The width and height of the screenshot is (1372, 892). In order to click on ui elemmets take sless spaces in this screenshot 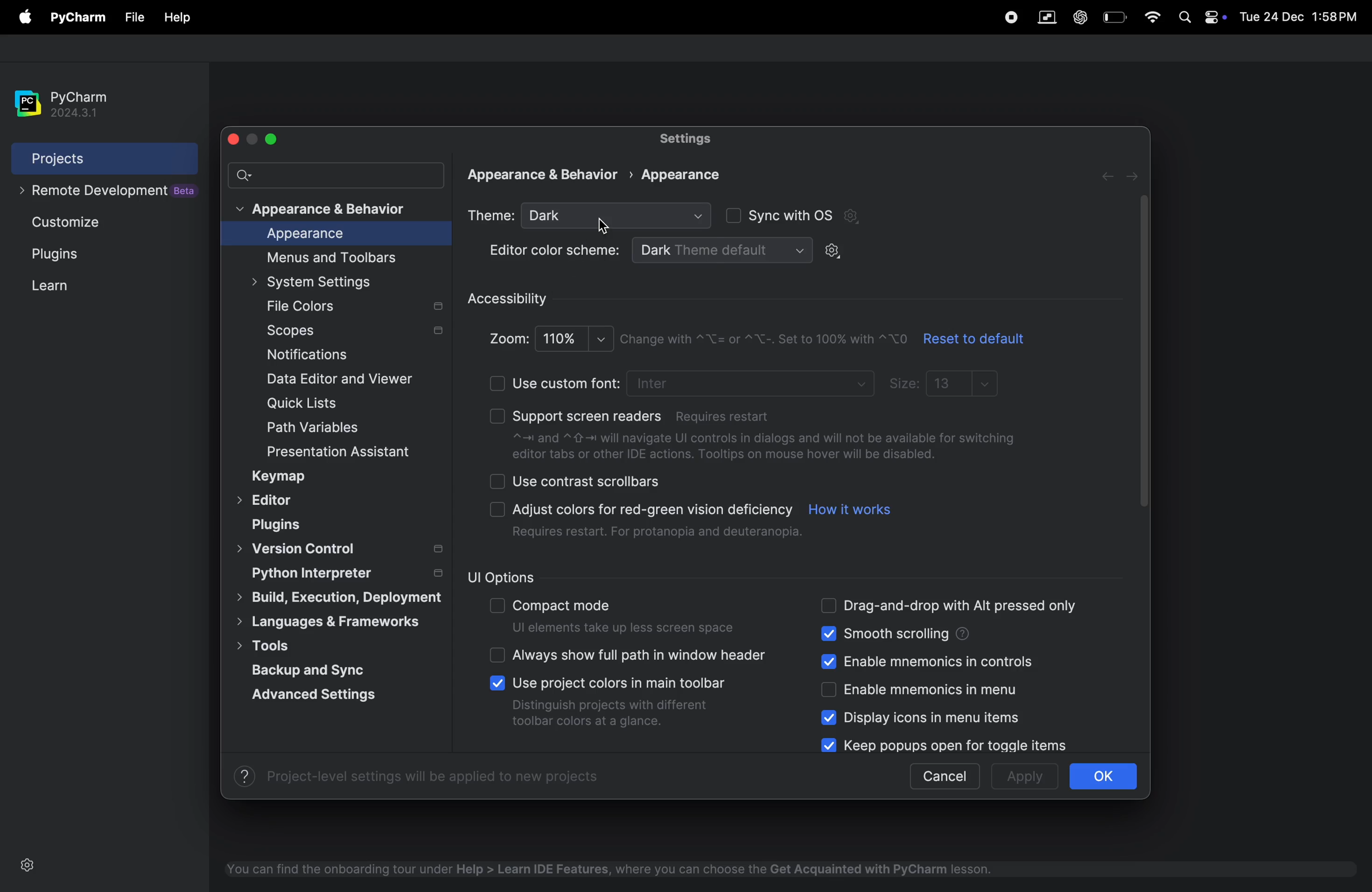, I will do `click(630, 629)`.